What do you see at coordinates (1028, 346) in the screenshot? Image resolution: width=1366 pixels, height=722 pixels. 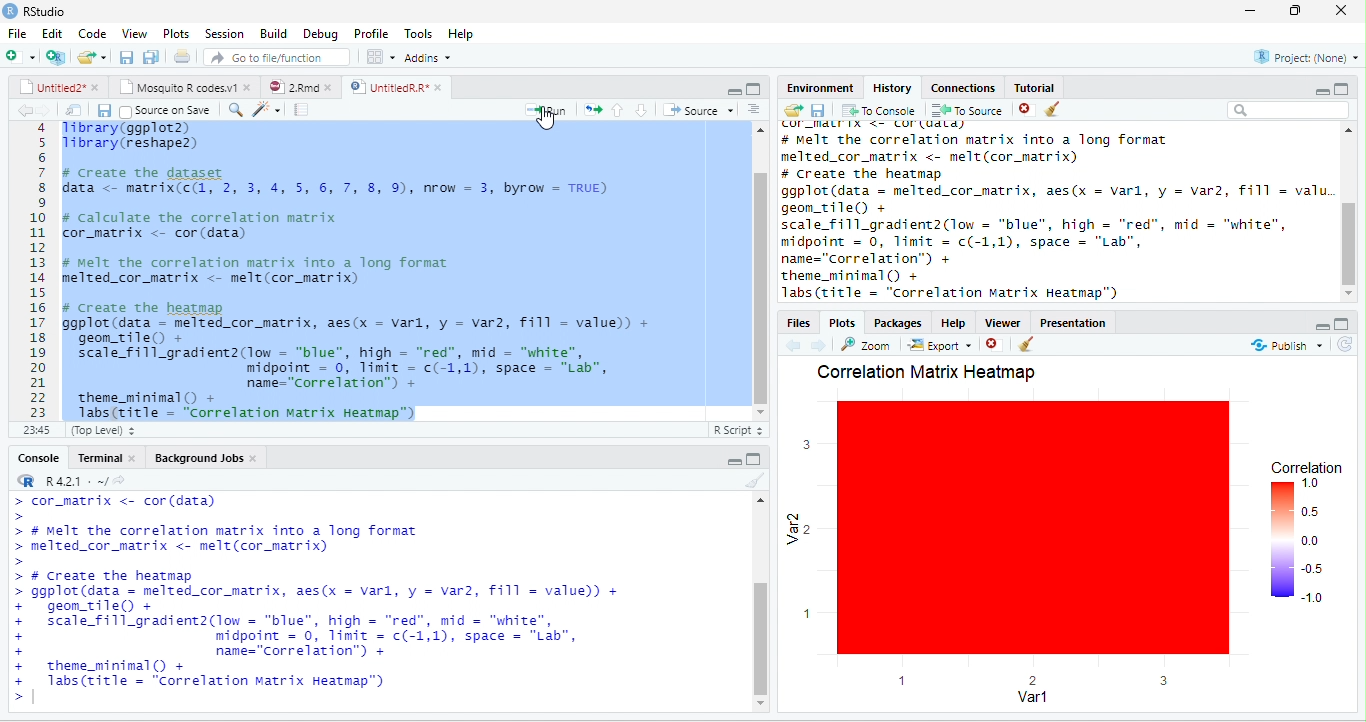 I see `CLEAN` at bounding box center [1028, 346].